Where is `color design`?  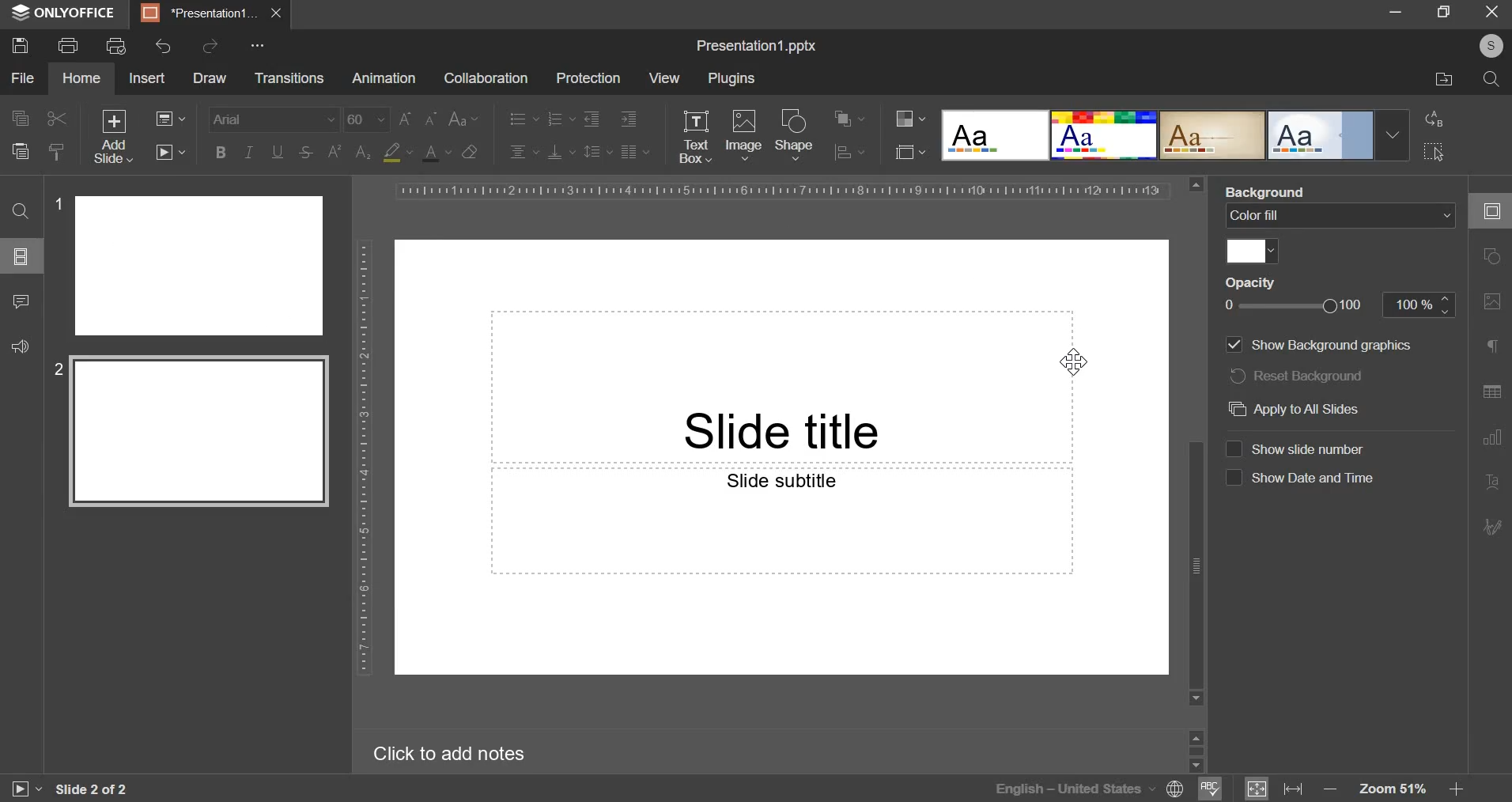
color design is located at coordinates (910, 119).